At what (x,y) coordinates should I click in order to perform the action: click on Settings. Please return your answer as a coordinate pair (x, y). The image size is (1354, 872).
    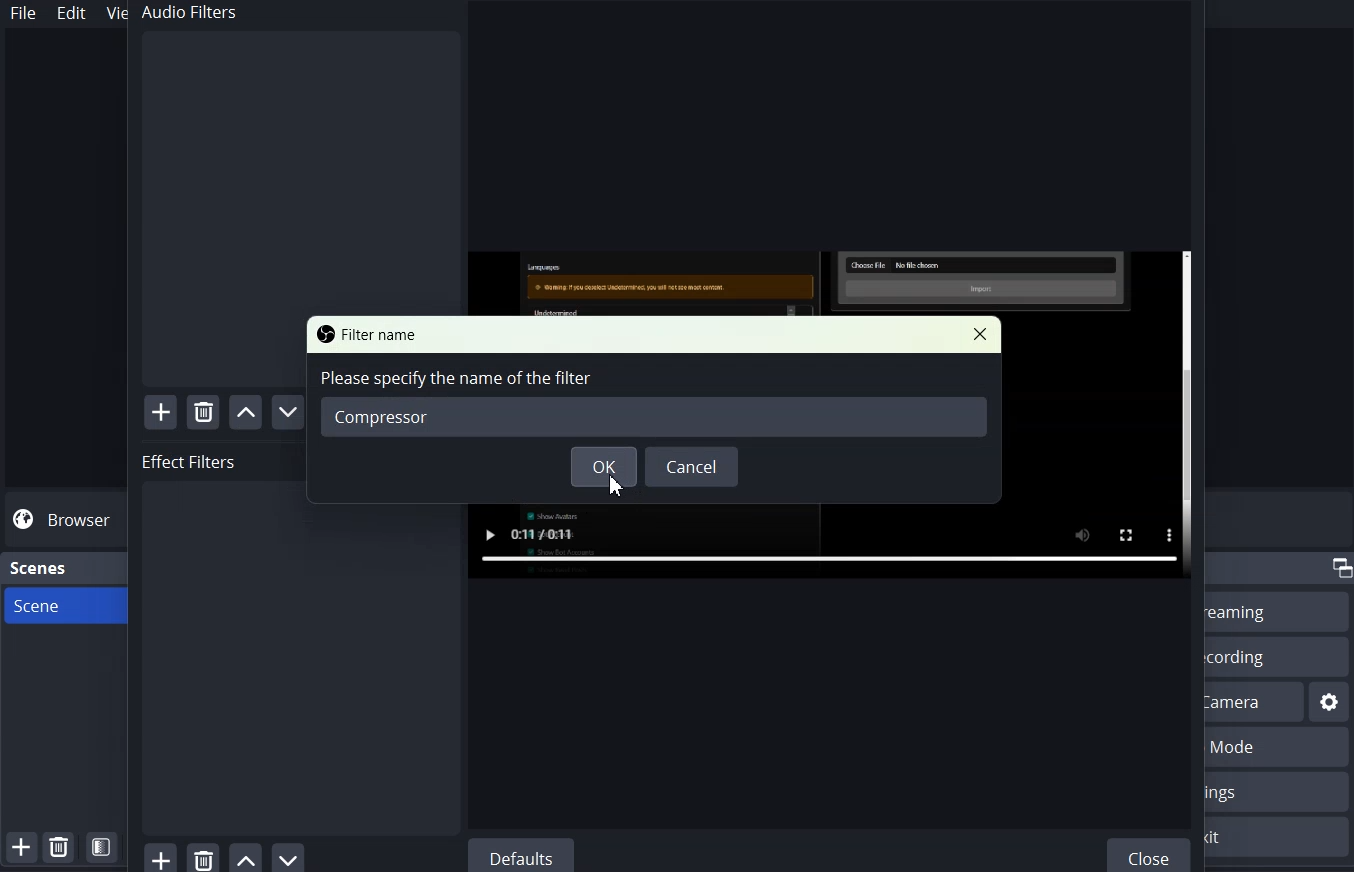
    Looking at the image, I should click on (1278, 791).